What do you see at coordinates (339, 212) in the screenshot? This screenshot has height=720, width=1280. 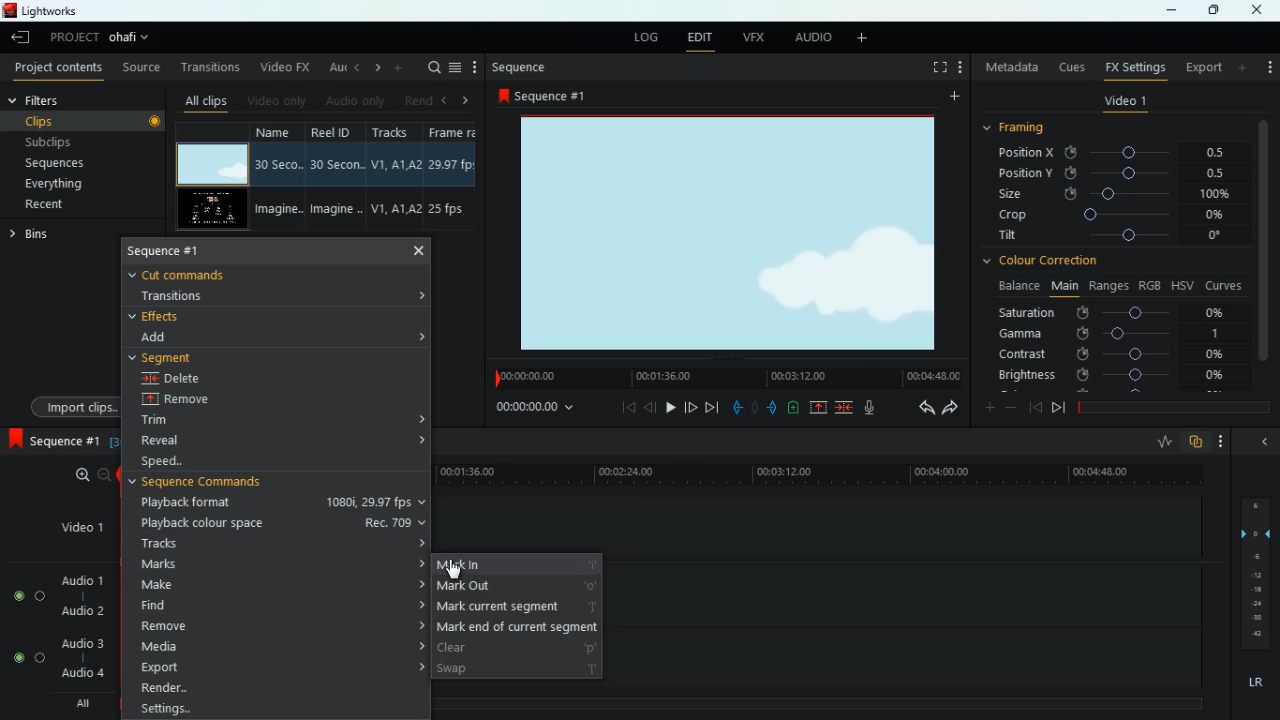 I see `Imagine..` at bounding box center [339, 212].